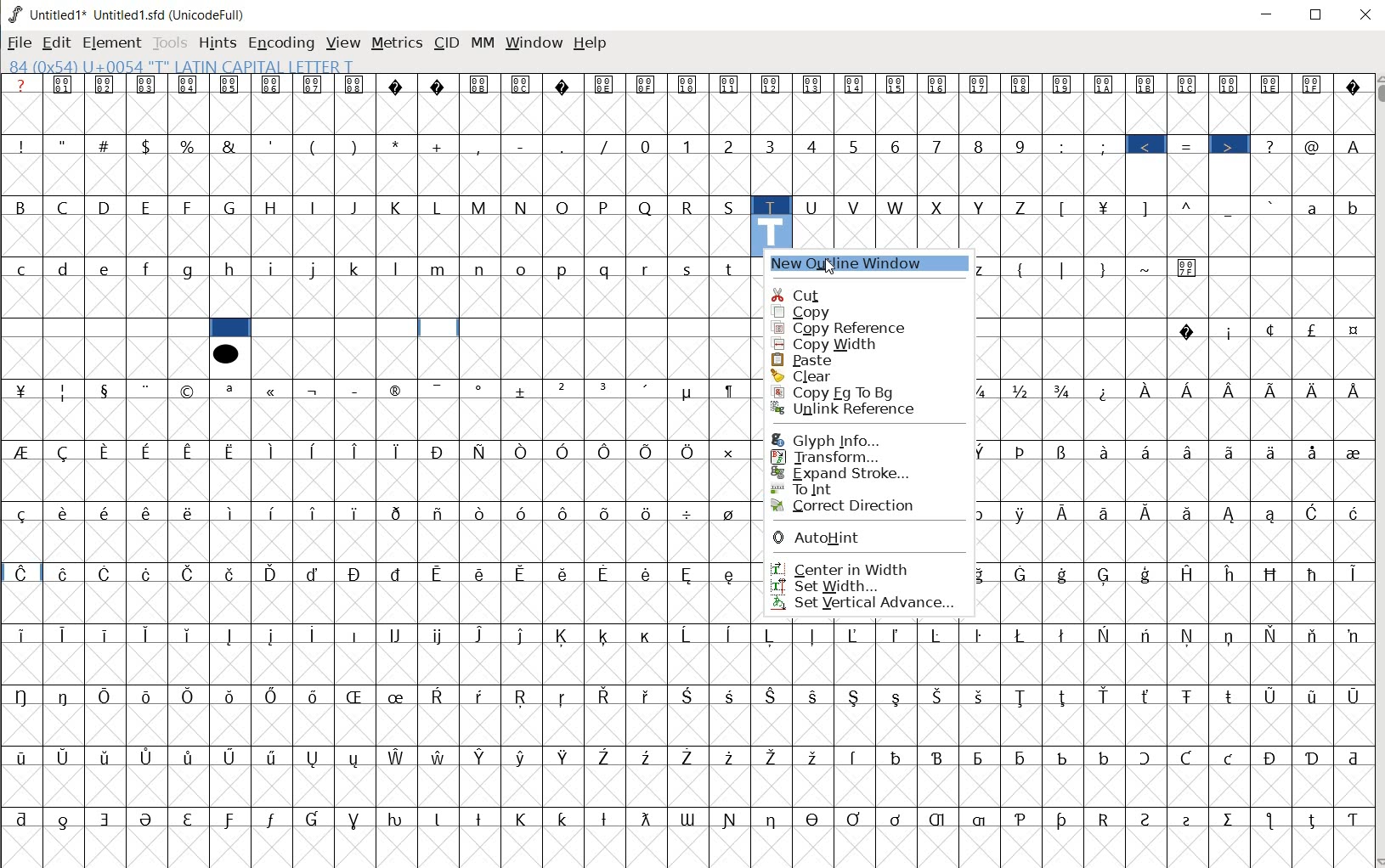  I want to click on Symbol, so click(482, 757).